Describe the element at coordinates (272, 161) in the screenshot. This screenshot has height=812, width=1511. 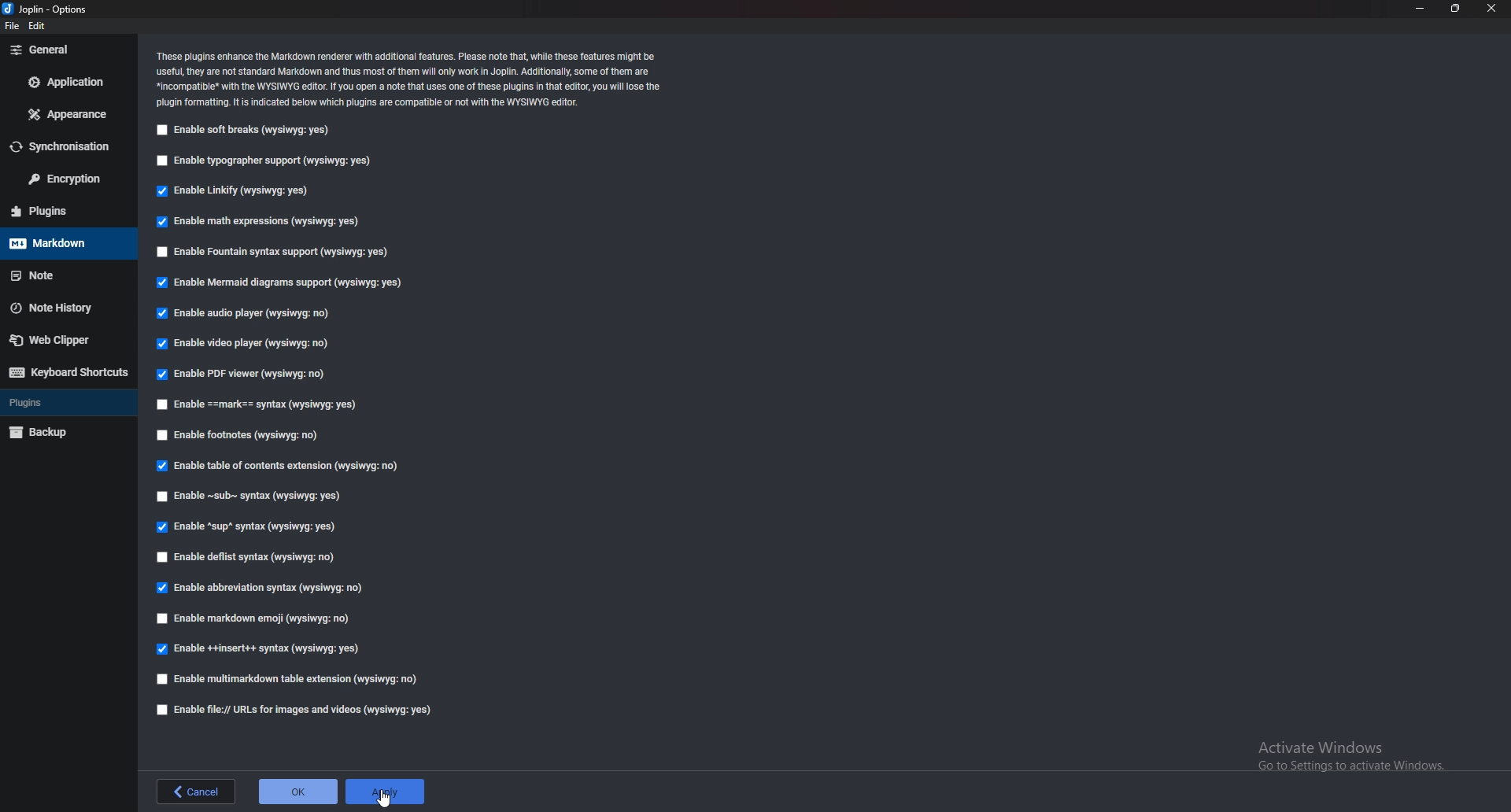
I see `Enable typographer support` at that location.